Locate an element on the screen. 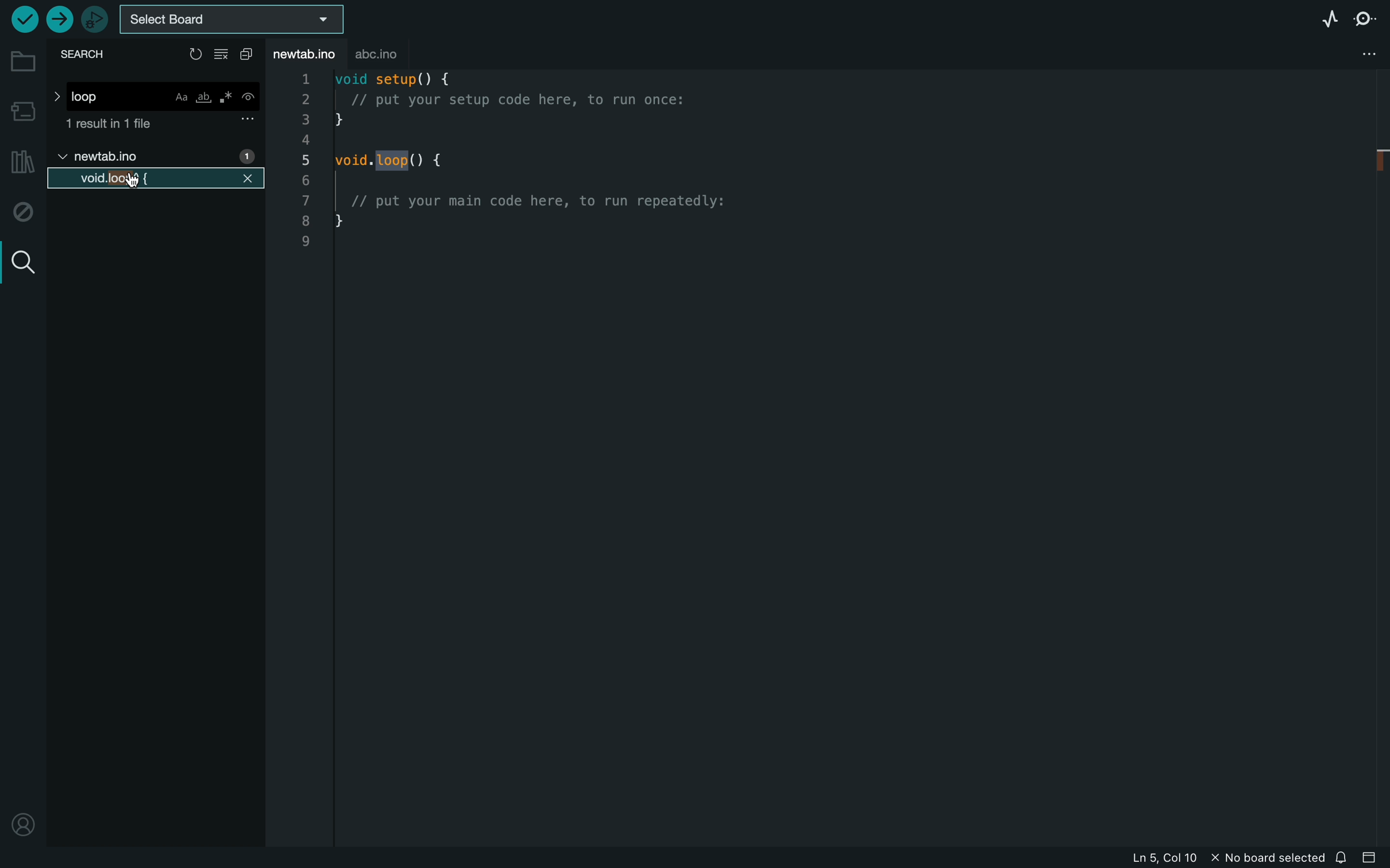 Image resolution: width=1390 pixels, height=868 pixels. close slide bar is located at coordinates (1374, 856).